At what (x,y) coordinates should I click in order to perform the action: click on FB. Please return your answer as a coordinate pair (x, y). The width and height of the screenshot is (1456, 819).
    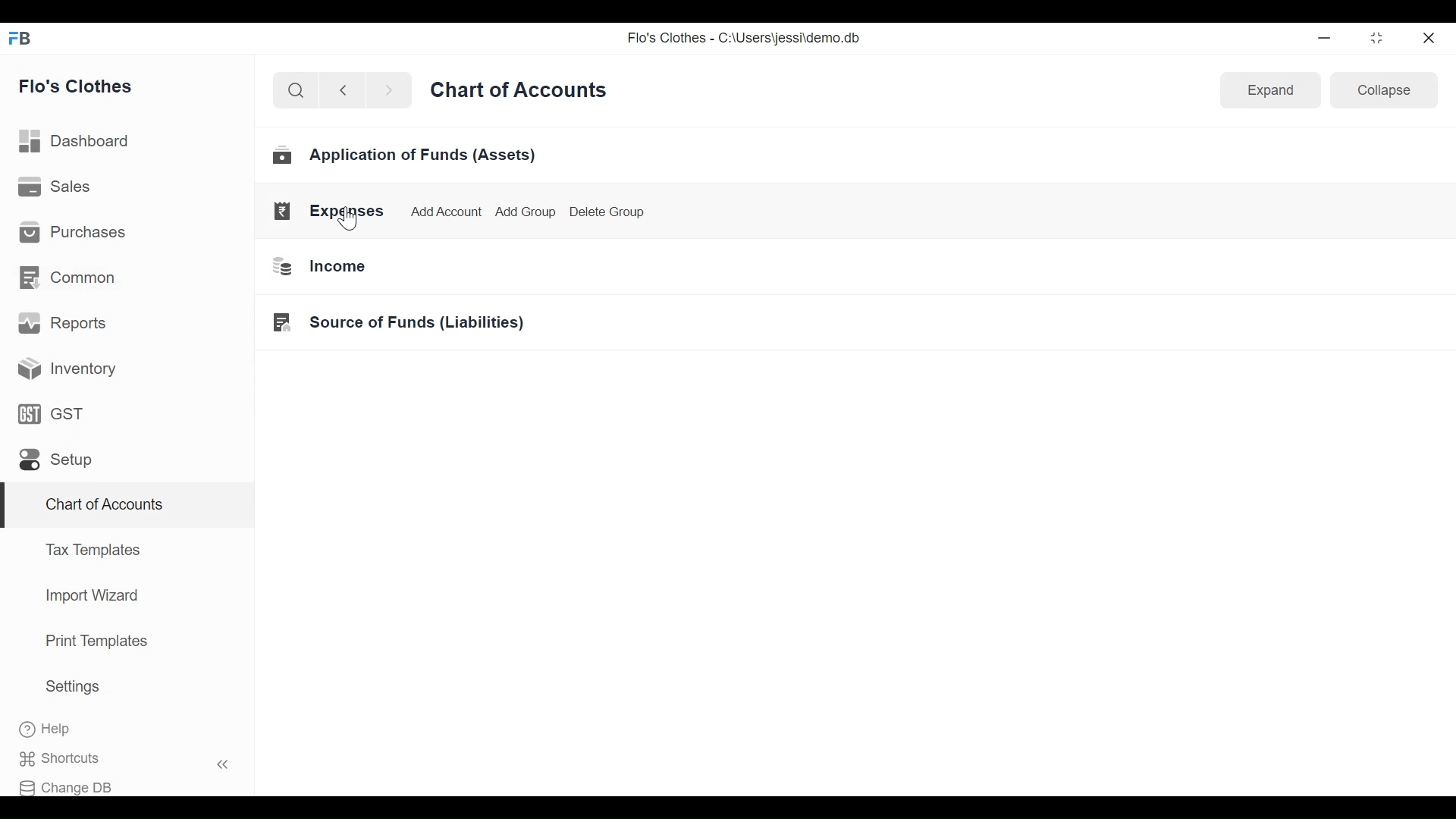
    Looking at the image, I should click on (24, 42).